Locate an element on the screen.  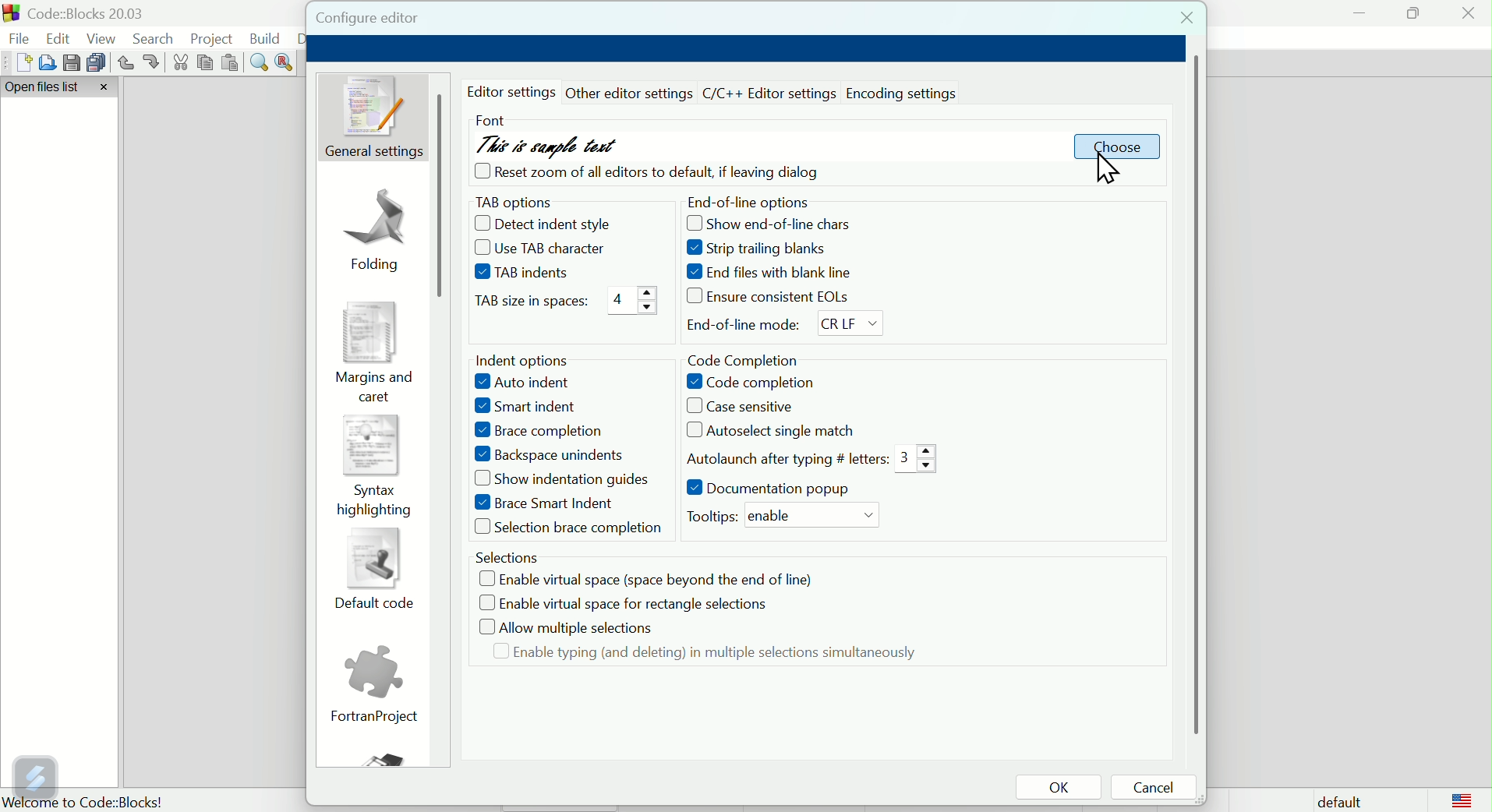
Close is located at coordinates (1183, 21).